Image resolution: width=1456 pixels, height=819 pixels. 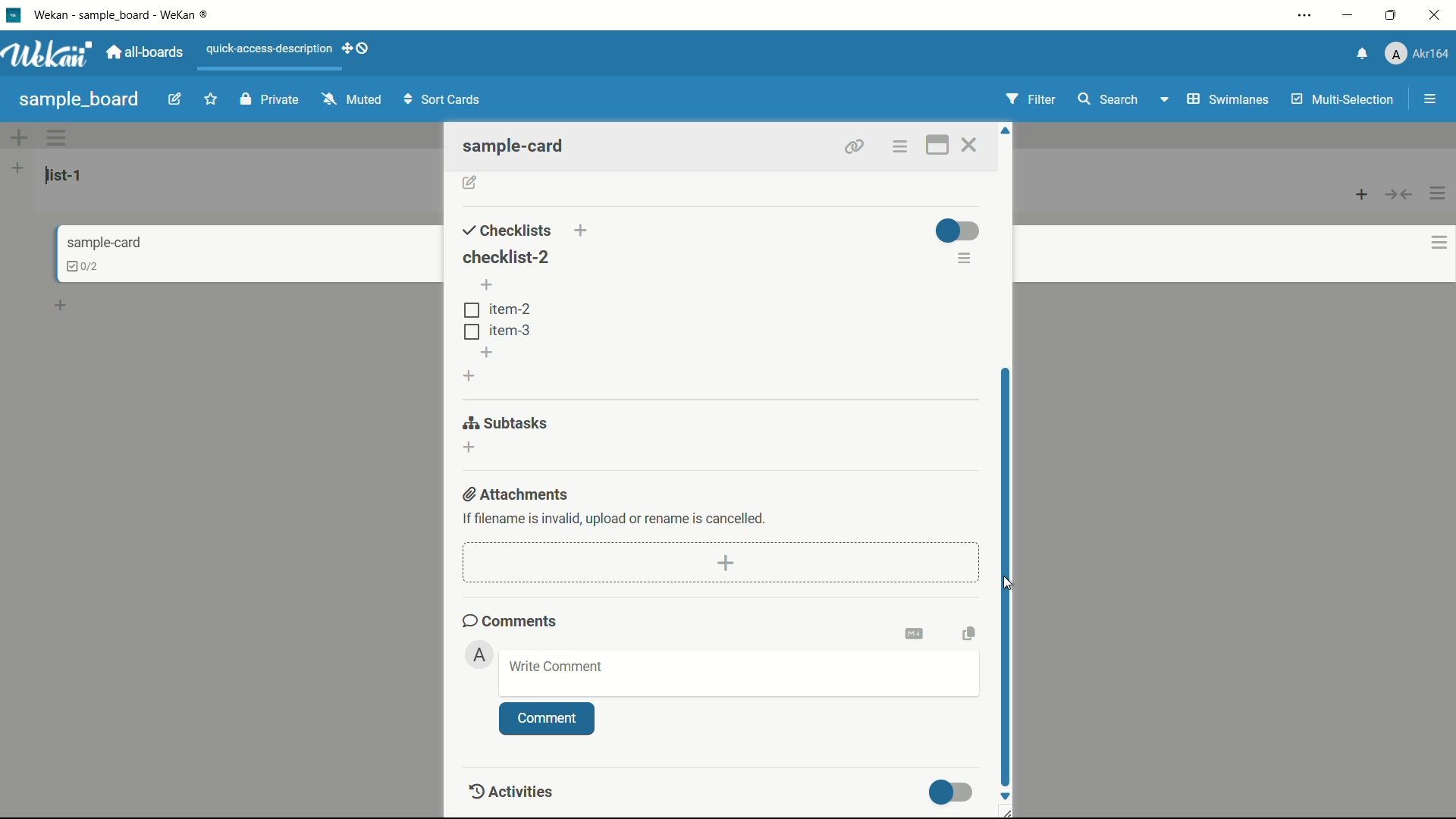 I want to click on activities, so click(x=516, y=791).